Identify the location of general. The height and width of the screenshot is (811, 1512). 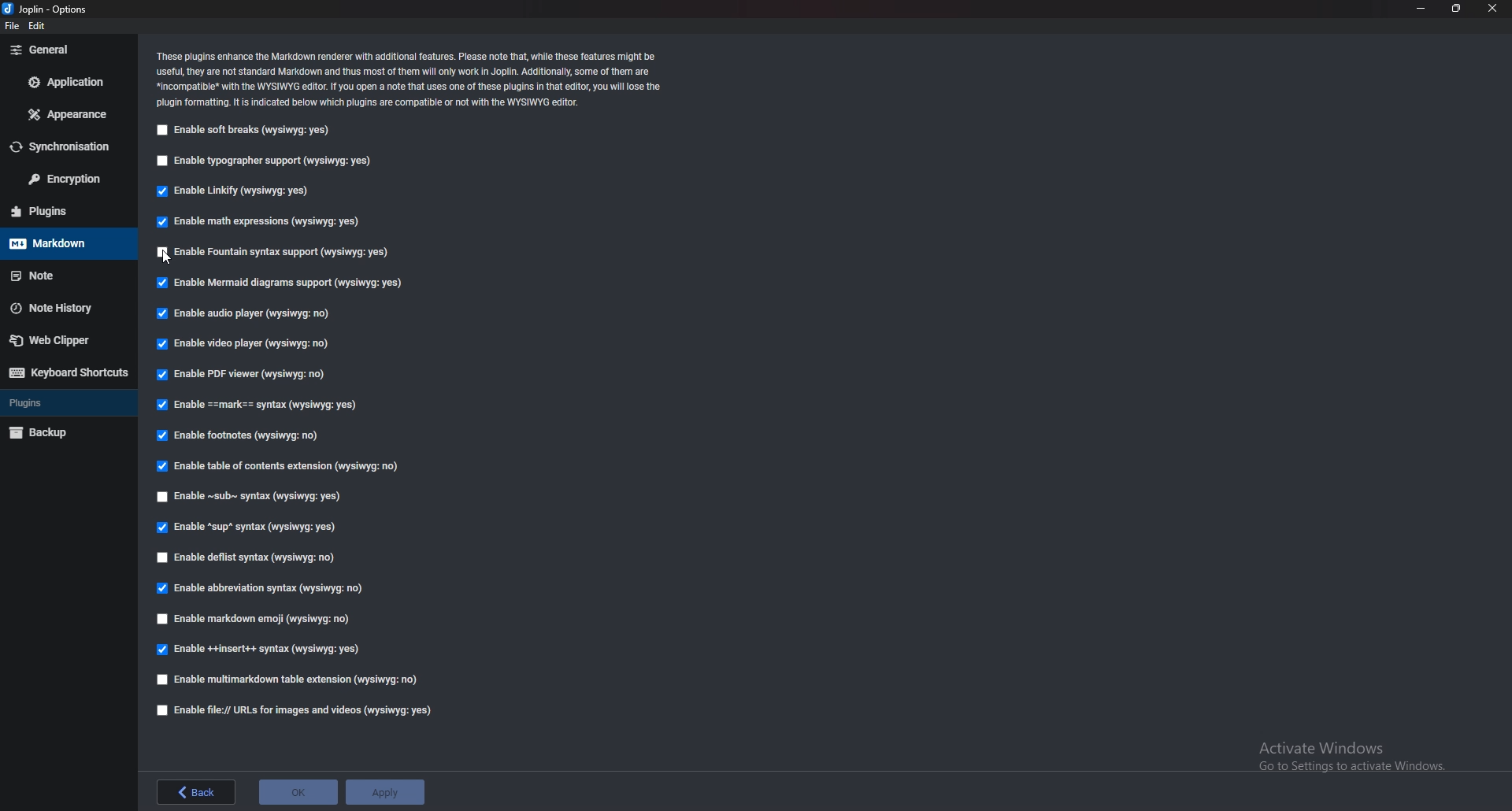
(69, 50).